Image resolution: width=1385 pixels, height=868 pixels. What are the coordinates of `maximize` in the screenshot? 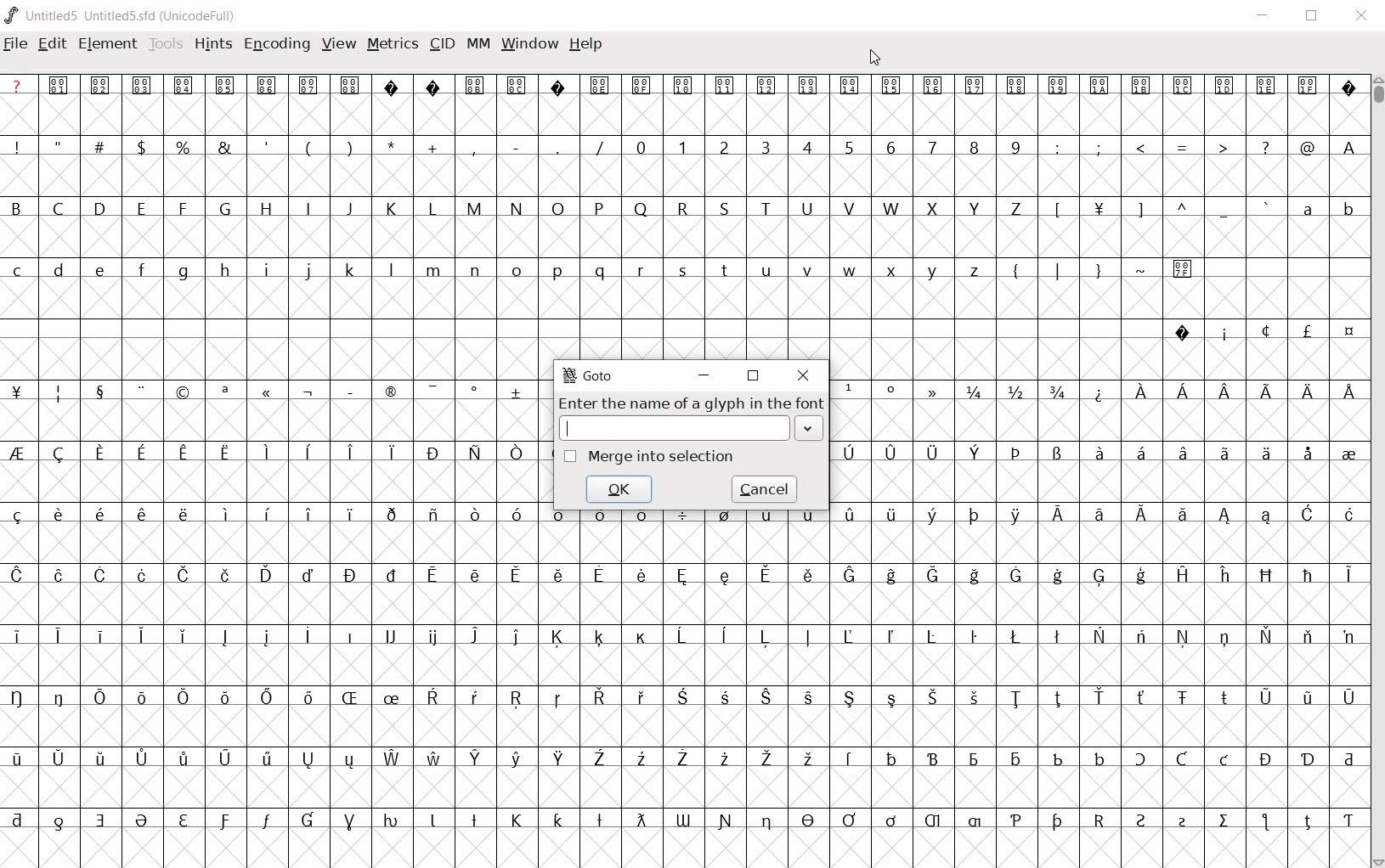 It's located at (753, 376).